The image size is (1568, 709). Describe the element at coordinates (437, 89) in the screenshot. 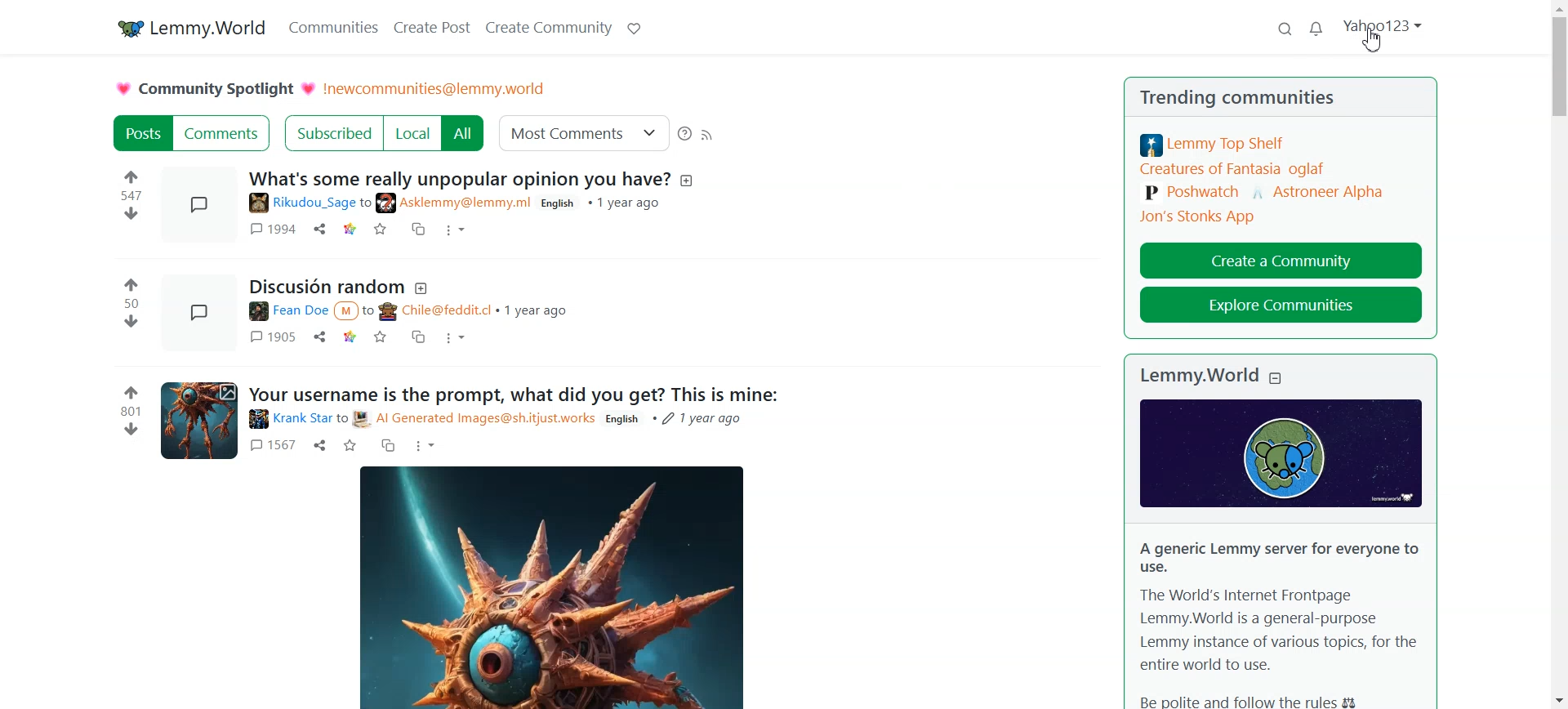

I see `!newcommunities@lemmy.world` at that location.